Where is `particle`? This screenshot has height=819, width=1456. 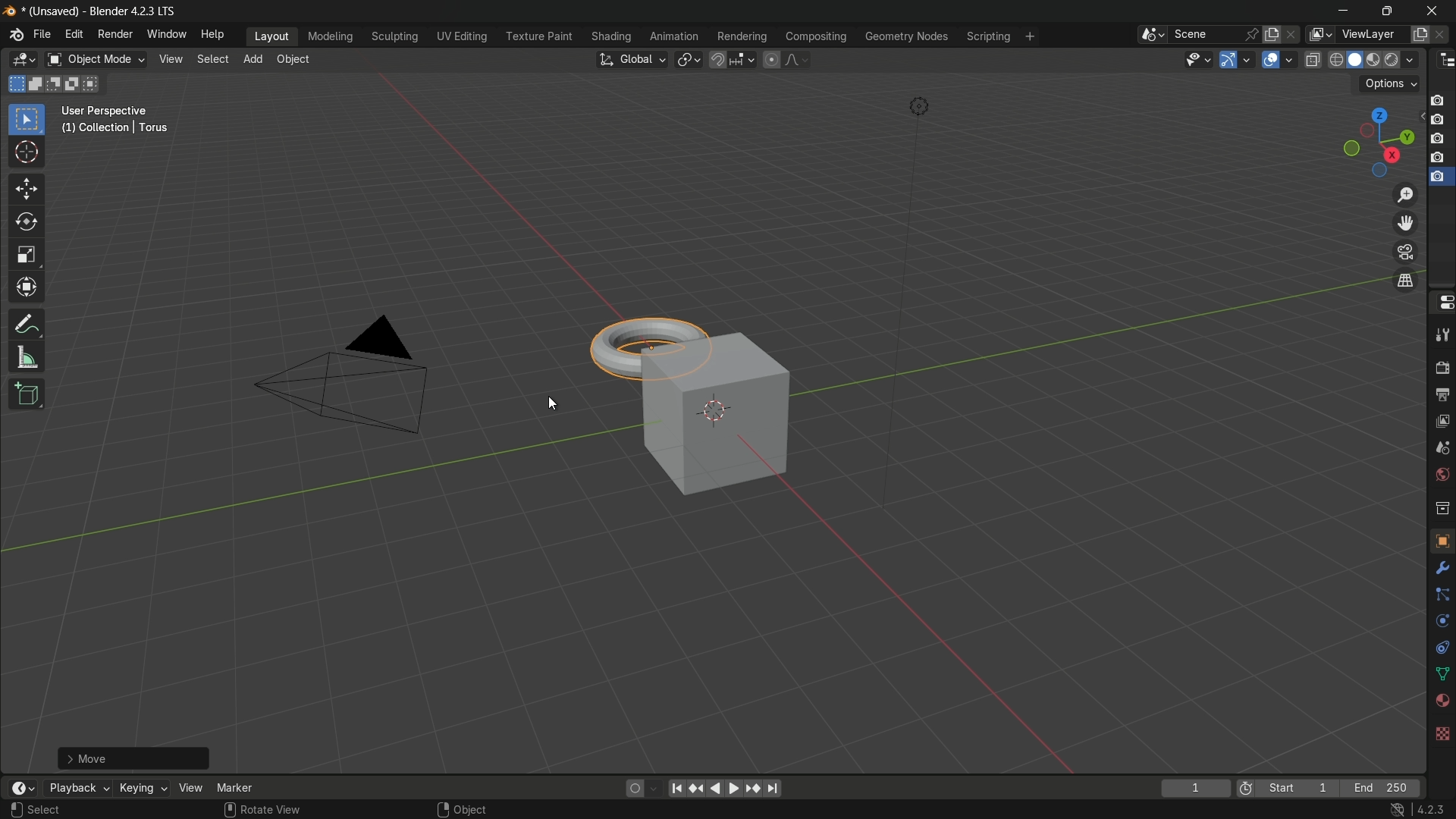 particle is located at coordinates (1441, 596).